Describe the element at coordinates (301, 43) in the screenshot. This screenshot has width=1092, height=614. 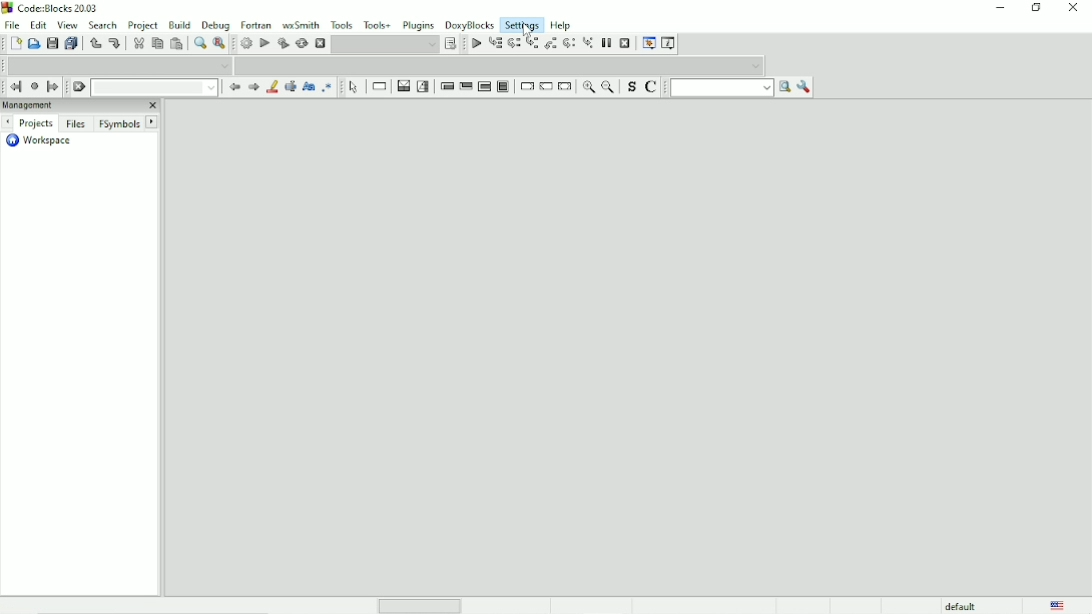
I see `Rebuild` at that location.